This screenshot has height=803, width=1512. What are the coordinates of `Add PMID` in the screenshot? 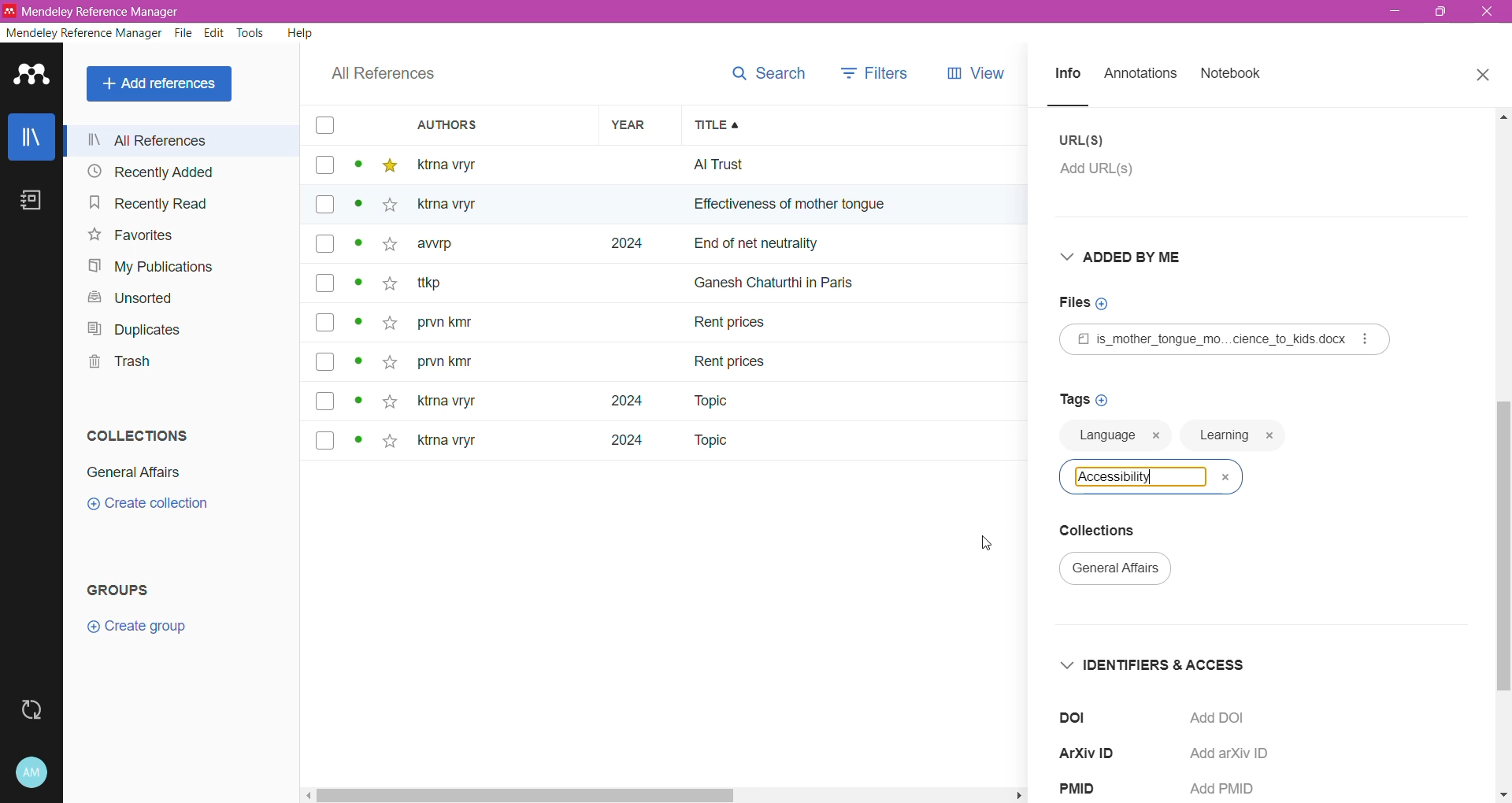 It's located at (1226, 790).